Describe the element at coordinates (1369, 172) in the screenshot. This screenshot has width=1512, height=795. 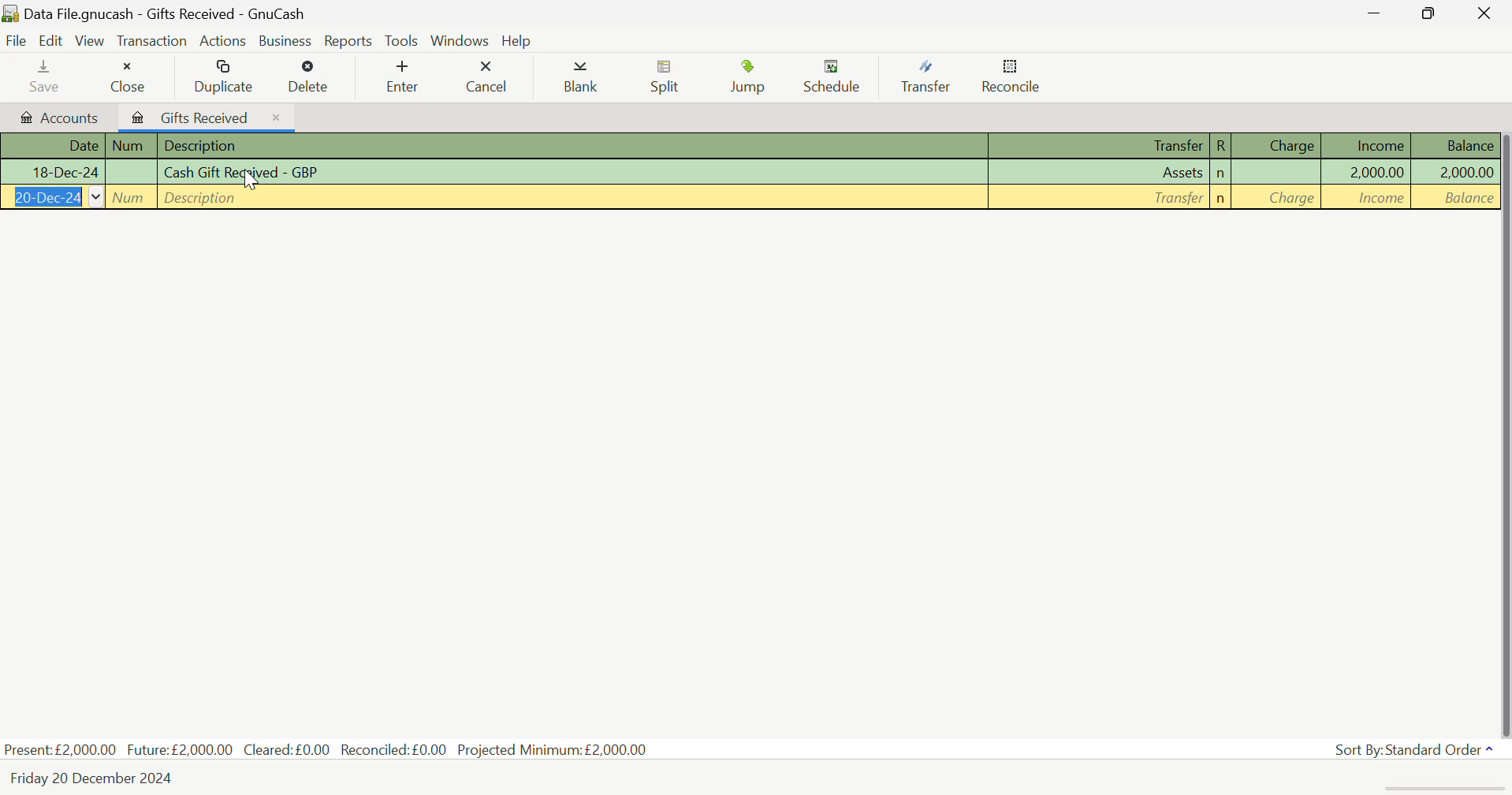
I see `Income` at that location.